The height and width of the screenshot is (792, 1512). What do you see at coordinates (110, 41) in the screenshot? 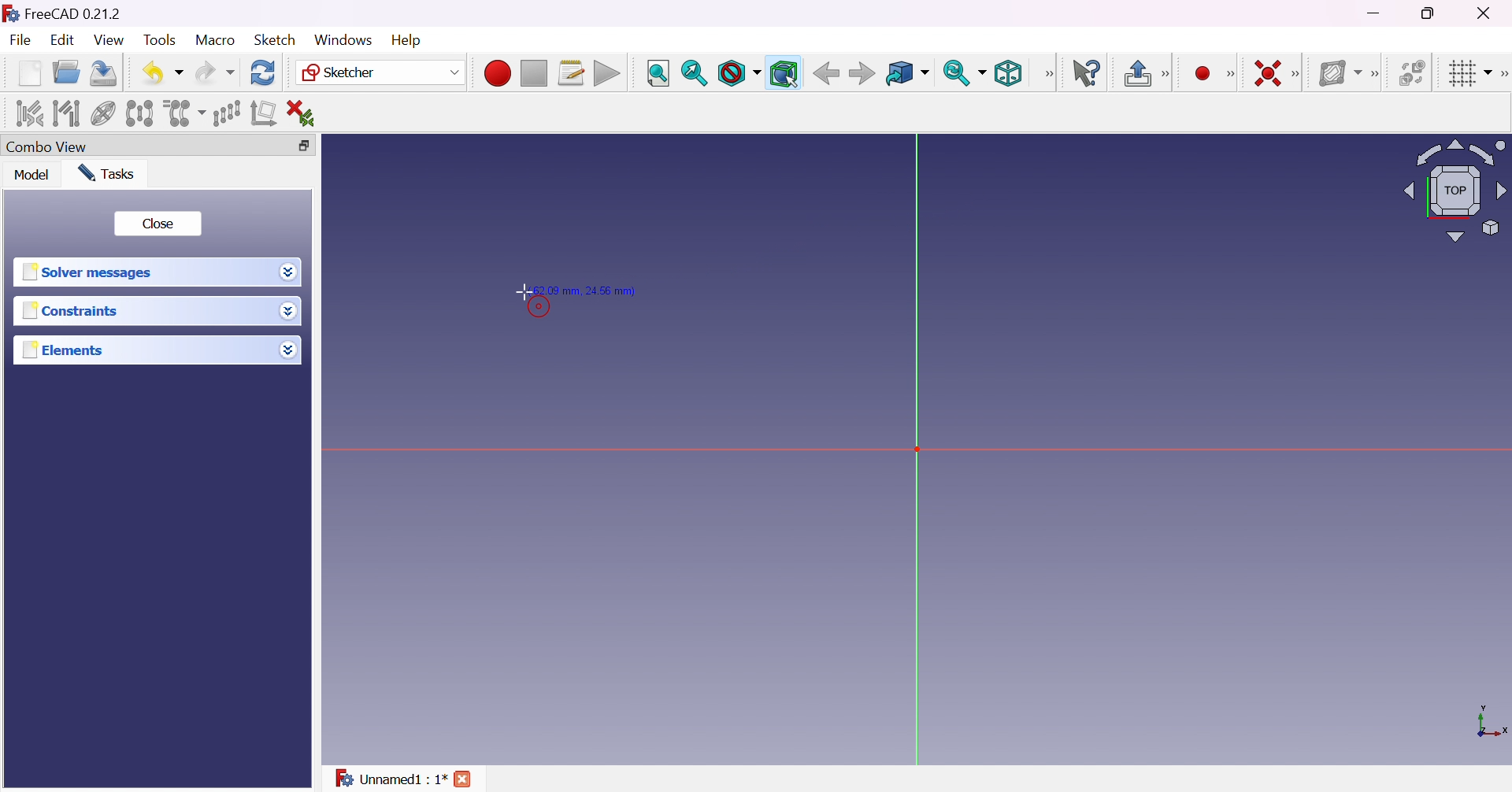
I see `View` at bounding box center [110, 41].